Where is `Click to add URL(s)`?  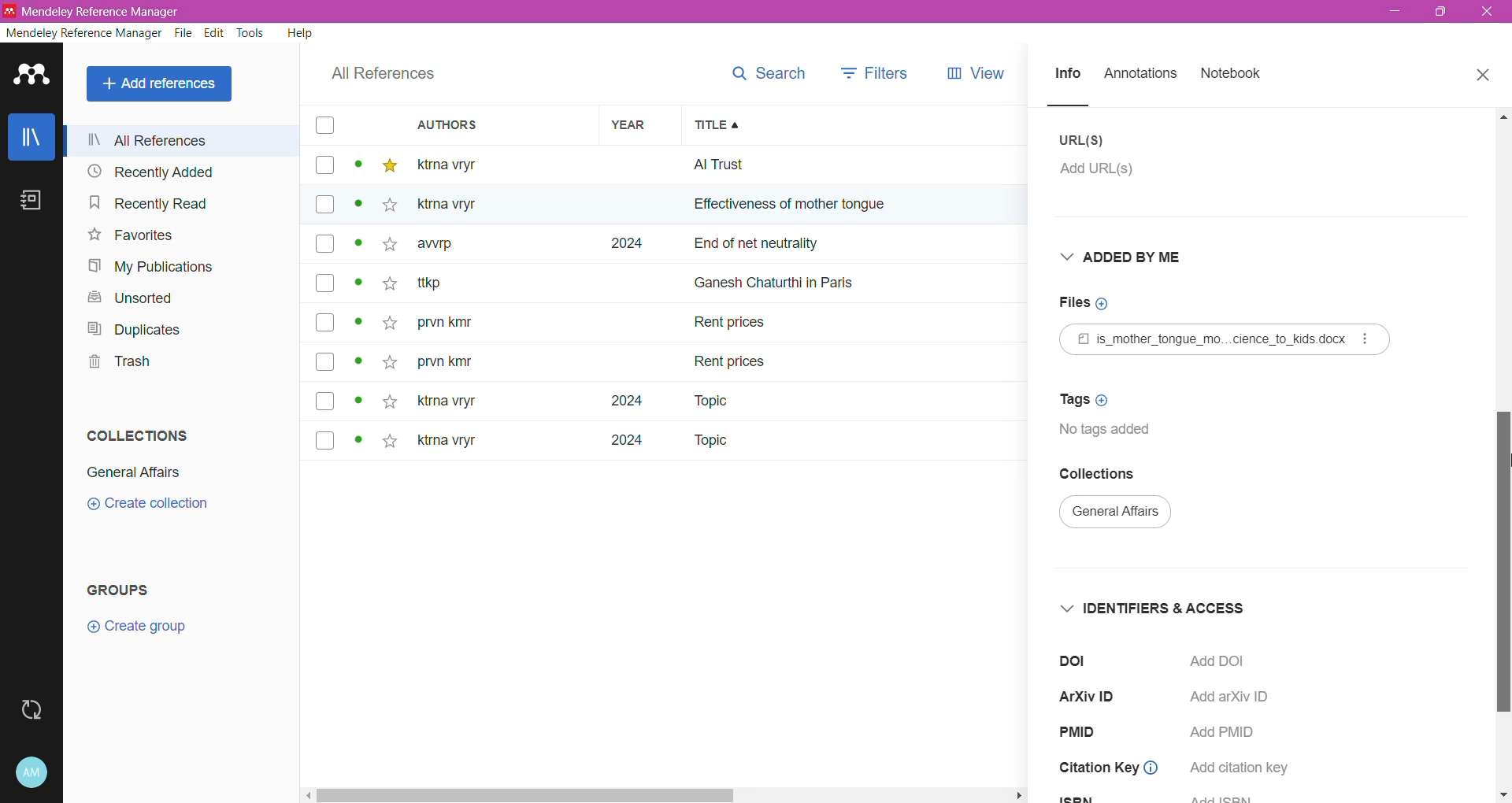 Click to add URL(s) is located at coordinates (1107, 173).